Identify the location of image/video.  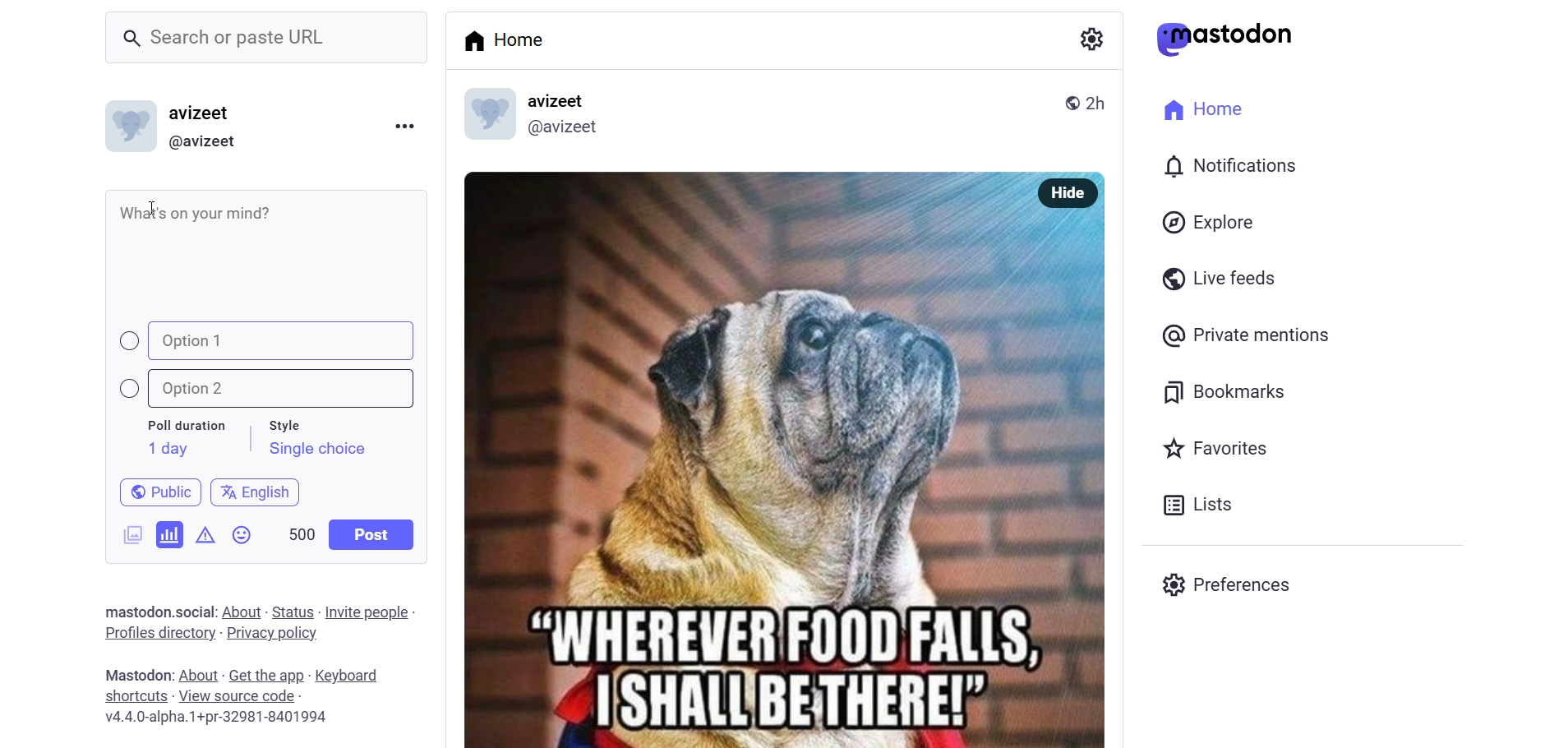
(127, 532).